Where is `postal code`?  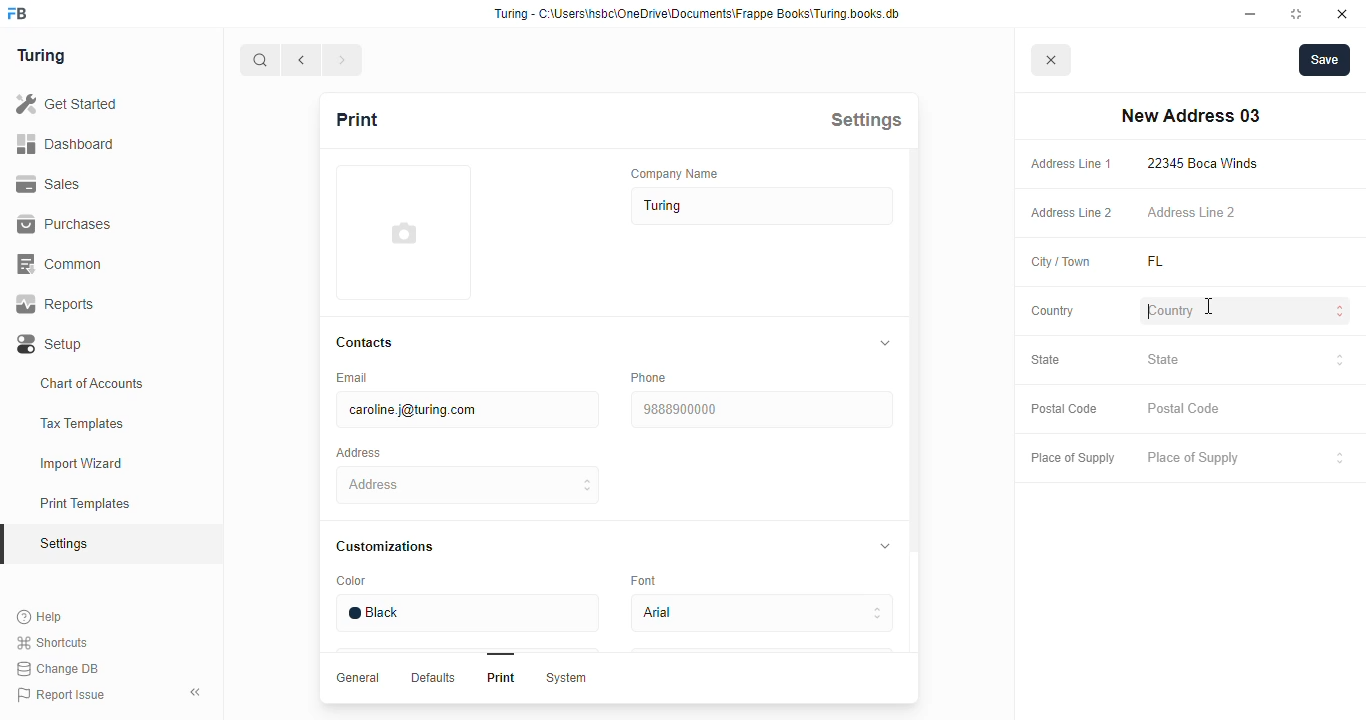 postal code is located at coordinates (1185, 409).